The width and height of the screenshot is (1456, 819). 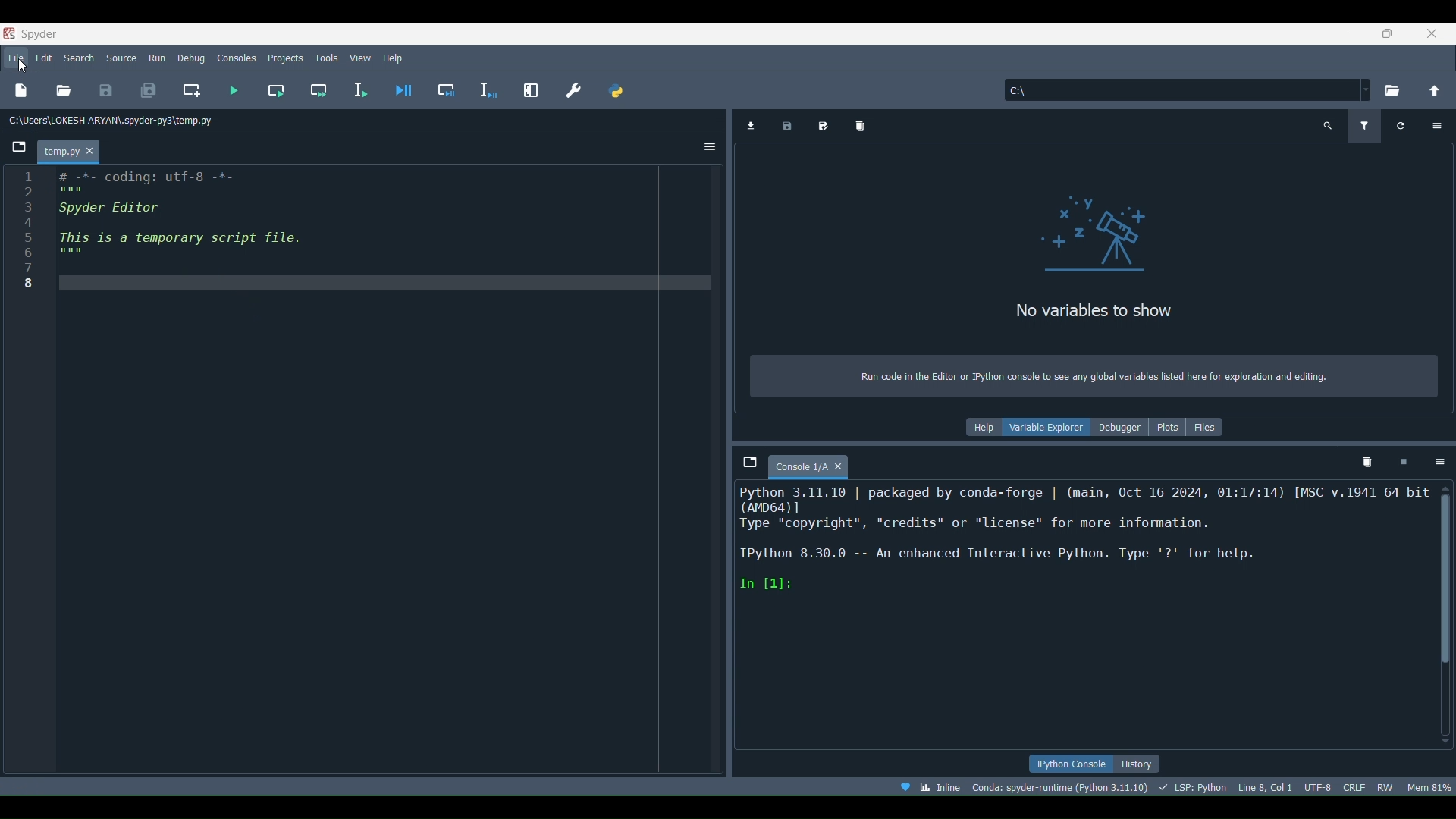 What do you see at coordinates (1447, 572) in the screenshot?
I see `Scrollbar` at bounding box center [1447, 572].